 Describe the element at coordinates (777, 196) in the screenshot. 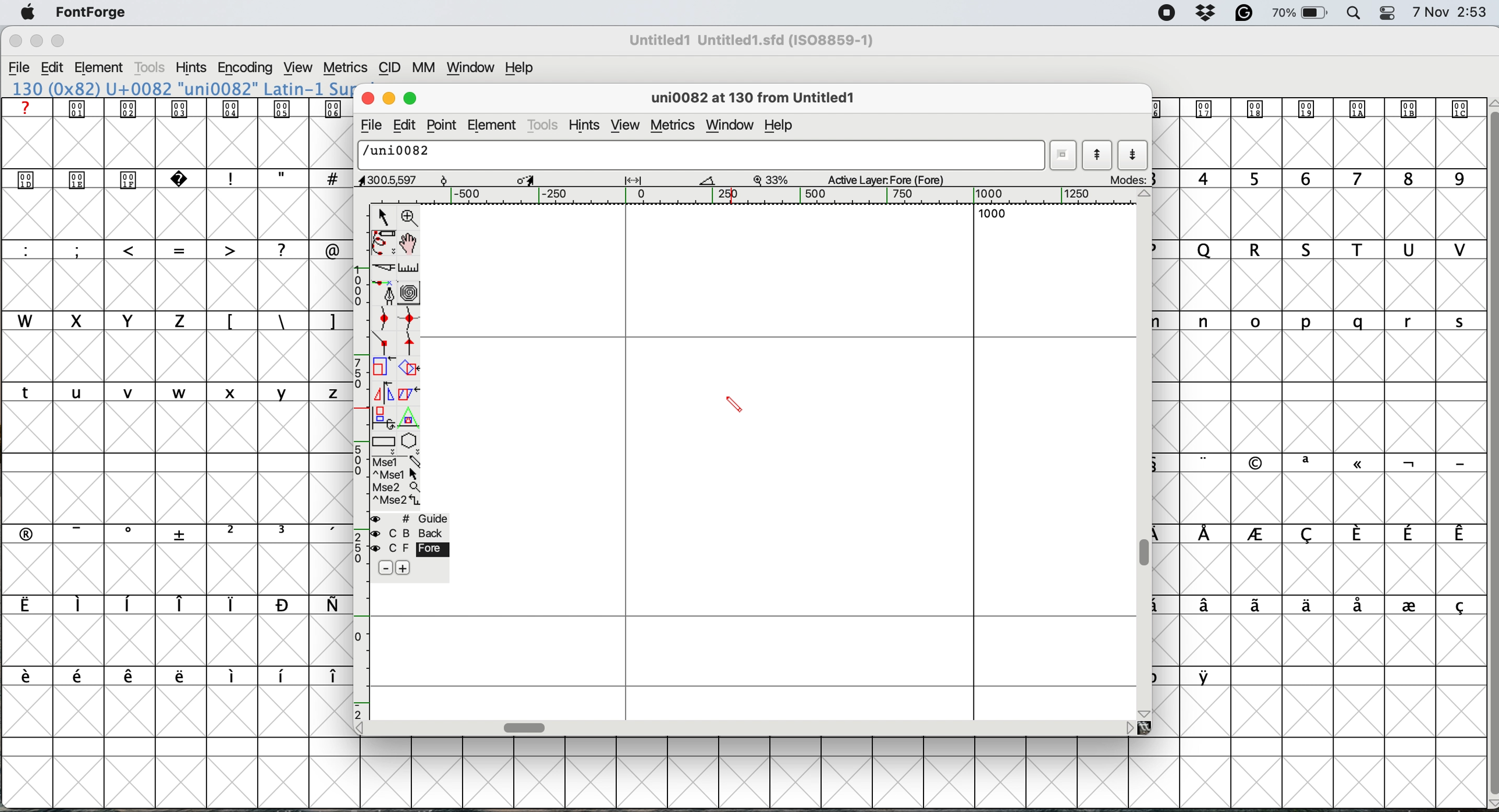

I see `horizontal scale` at that location.